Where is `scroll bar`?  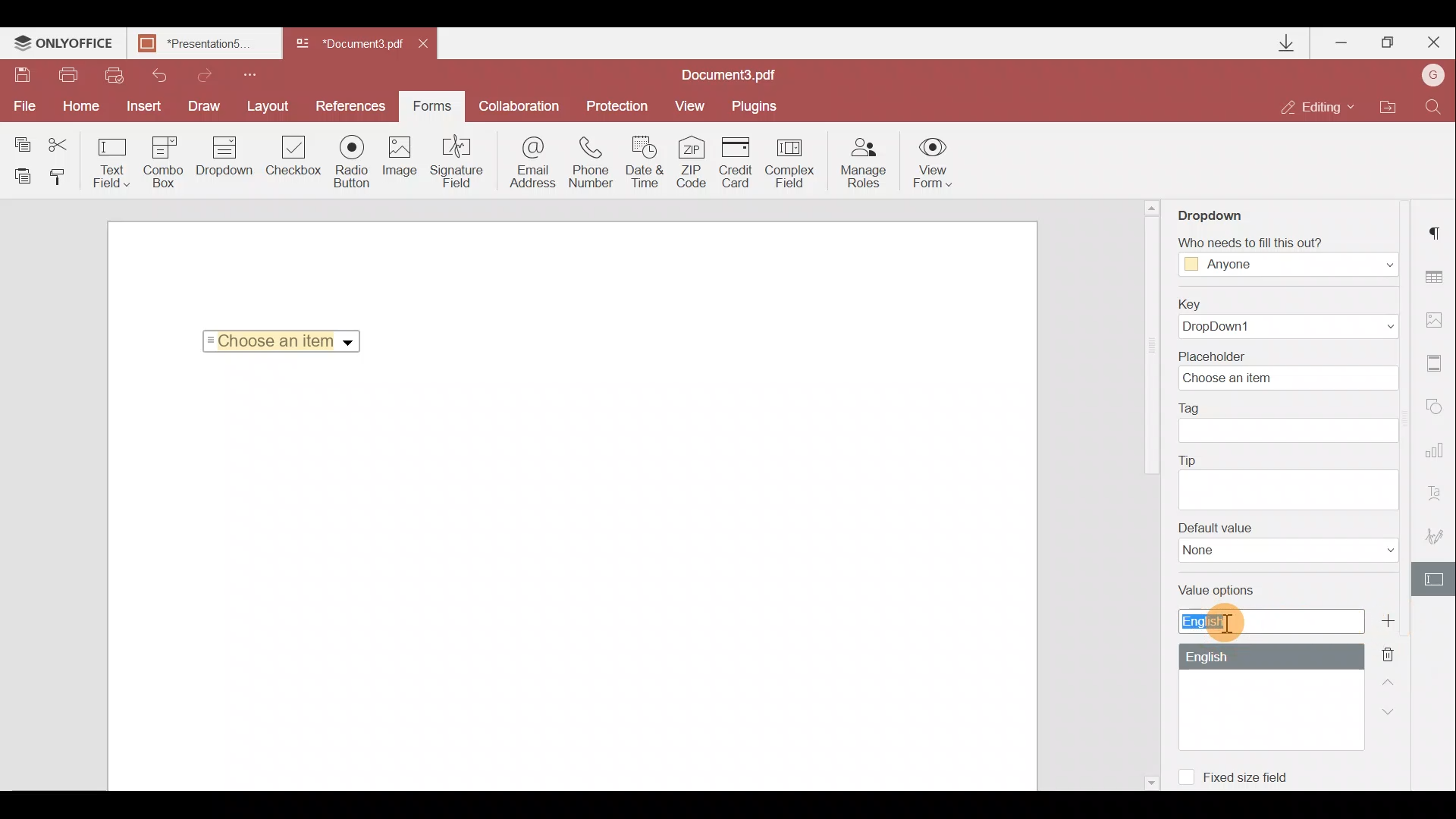 scroll bar is located at coordinates (1150, 348).